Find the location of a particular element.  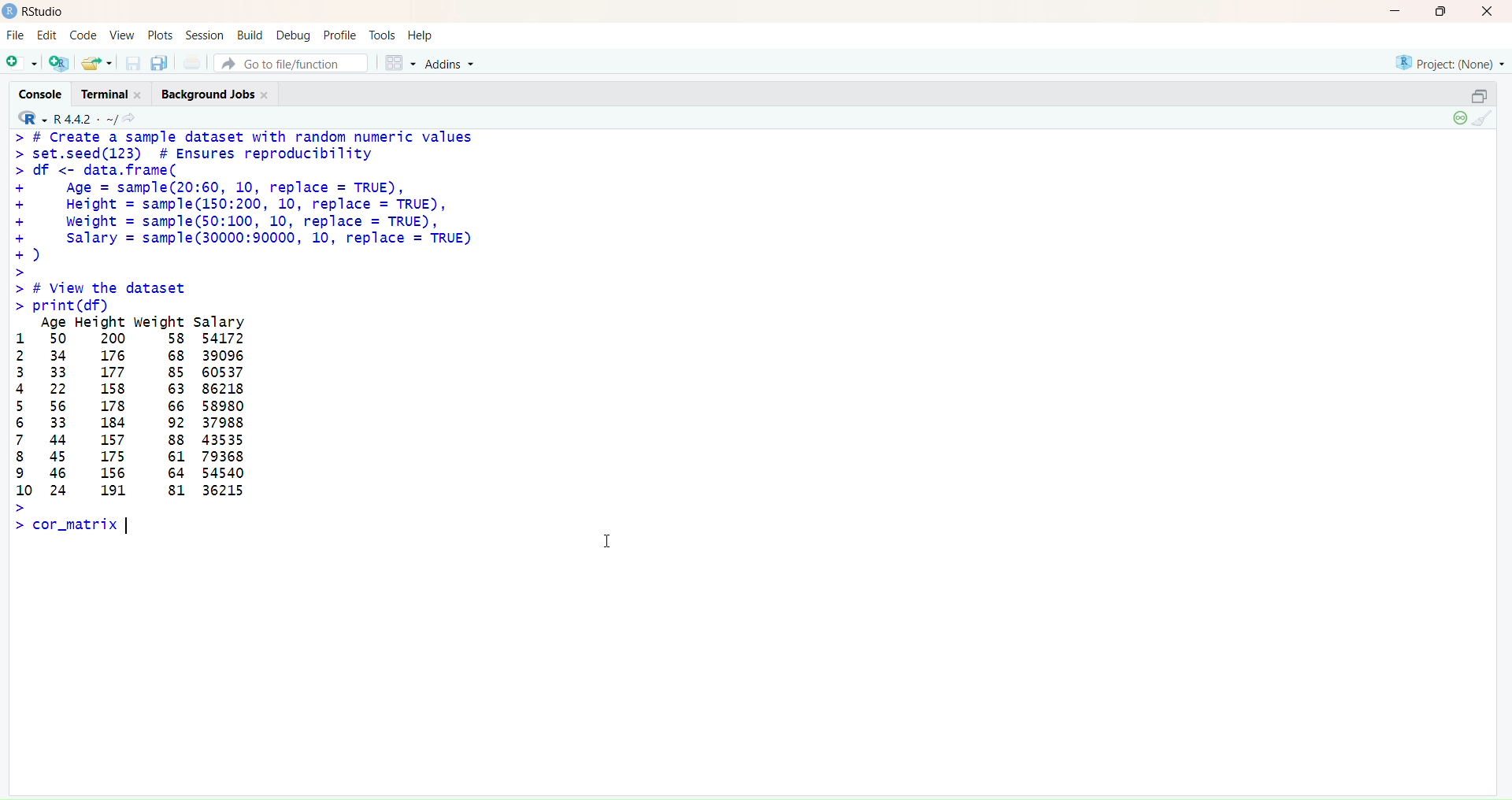

Help is located at coordinates (420, 32).